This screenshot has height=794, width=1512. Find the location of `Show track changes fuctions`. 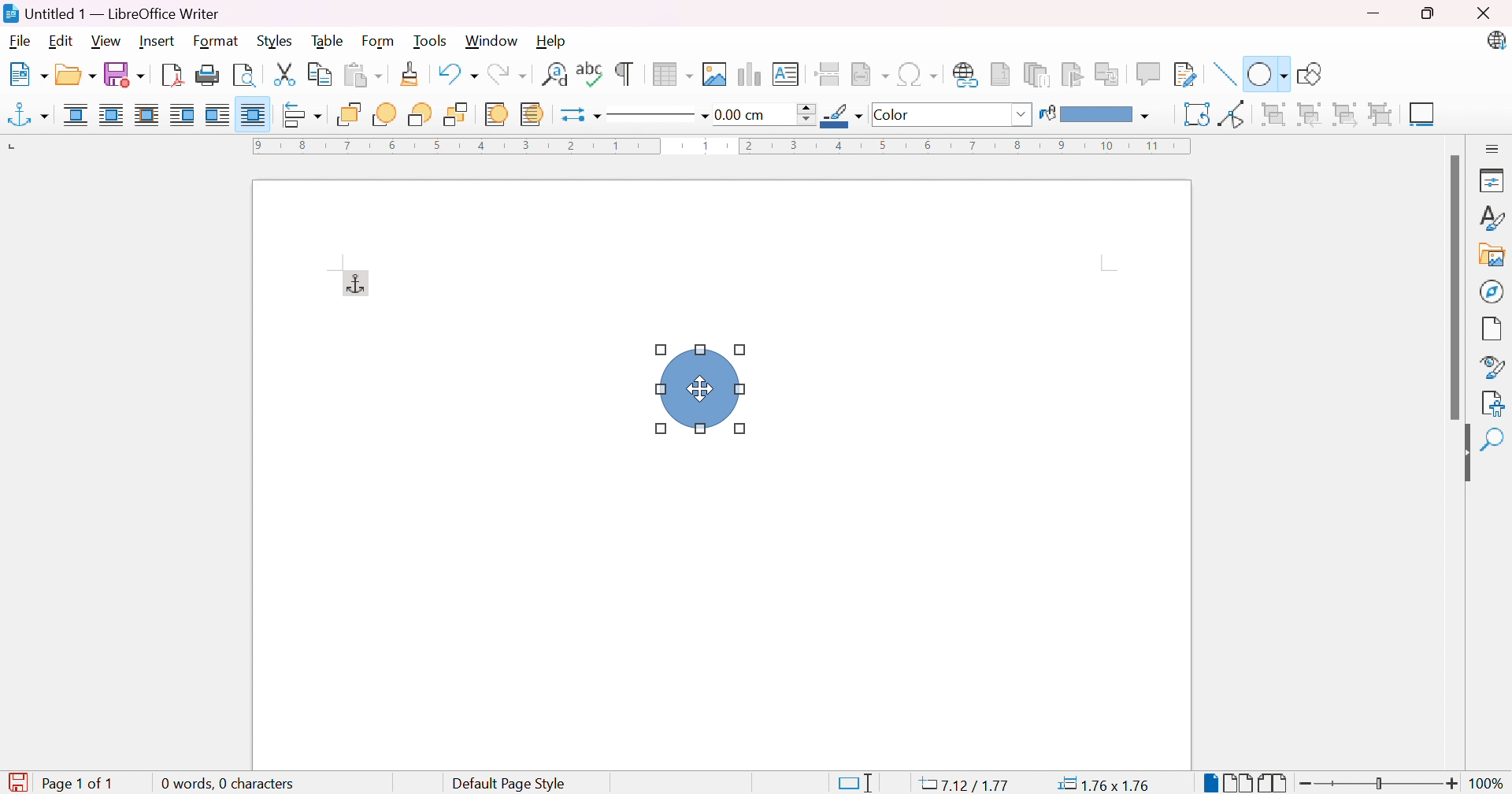

Show track changes fuctions is located at coordinates (1185, 76).